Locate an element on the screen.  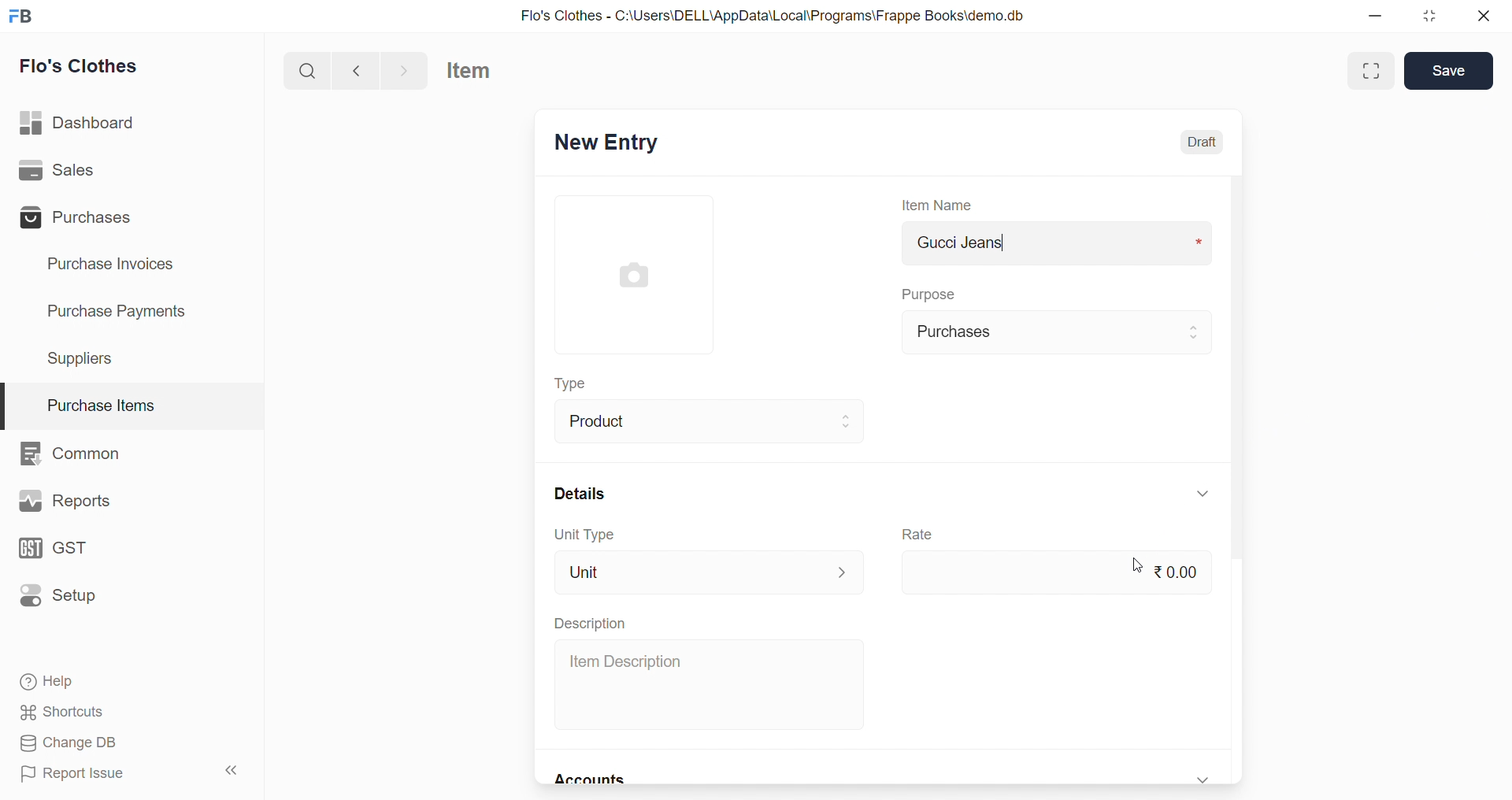
cursor is located at coordinates (1135, 560).